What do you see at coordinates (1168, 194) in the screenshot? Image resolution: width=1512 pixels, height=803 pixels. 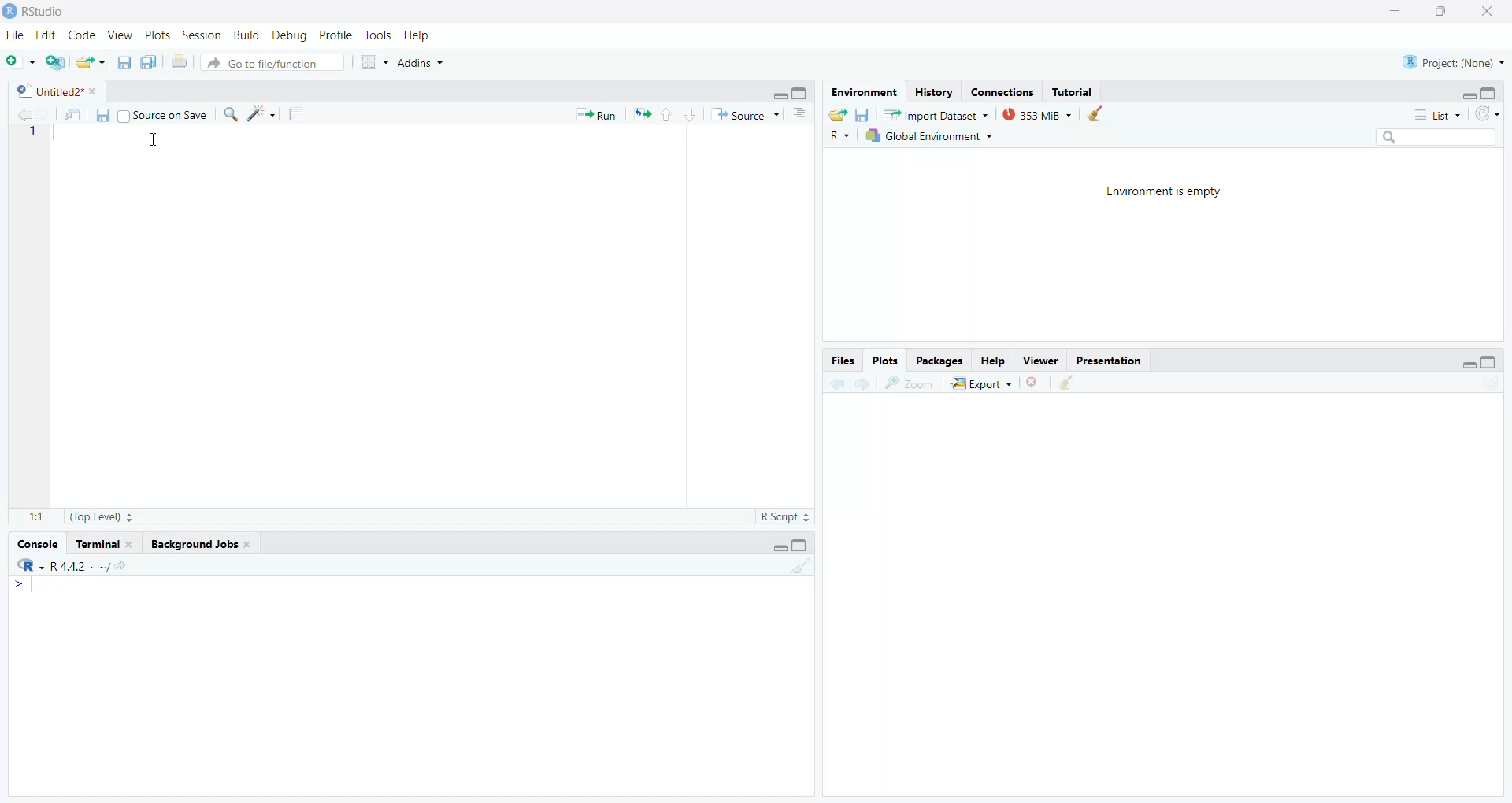 I see `Environment is empty` at bounding box center [1168, 194].